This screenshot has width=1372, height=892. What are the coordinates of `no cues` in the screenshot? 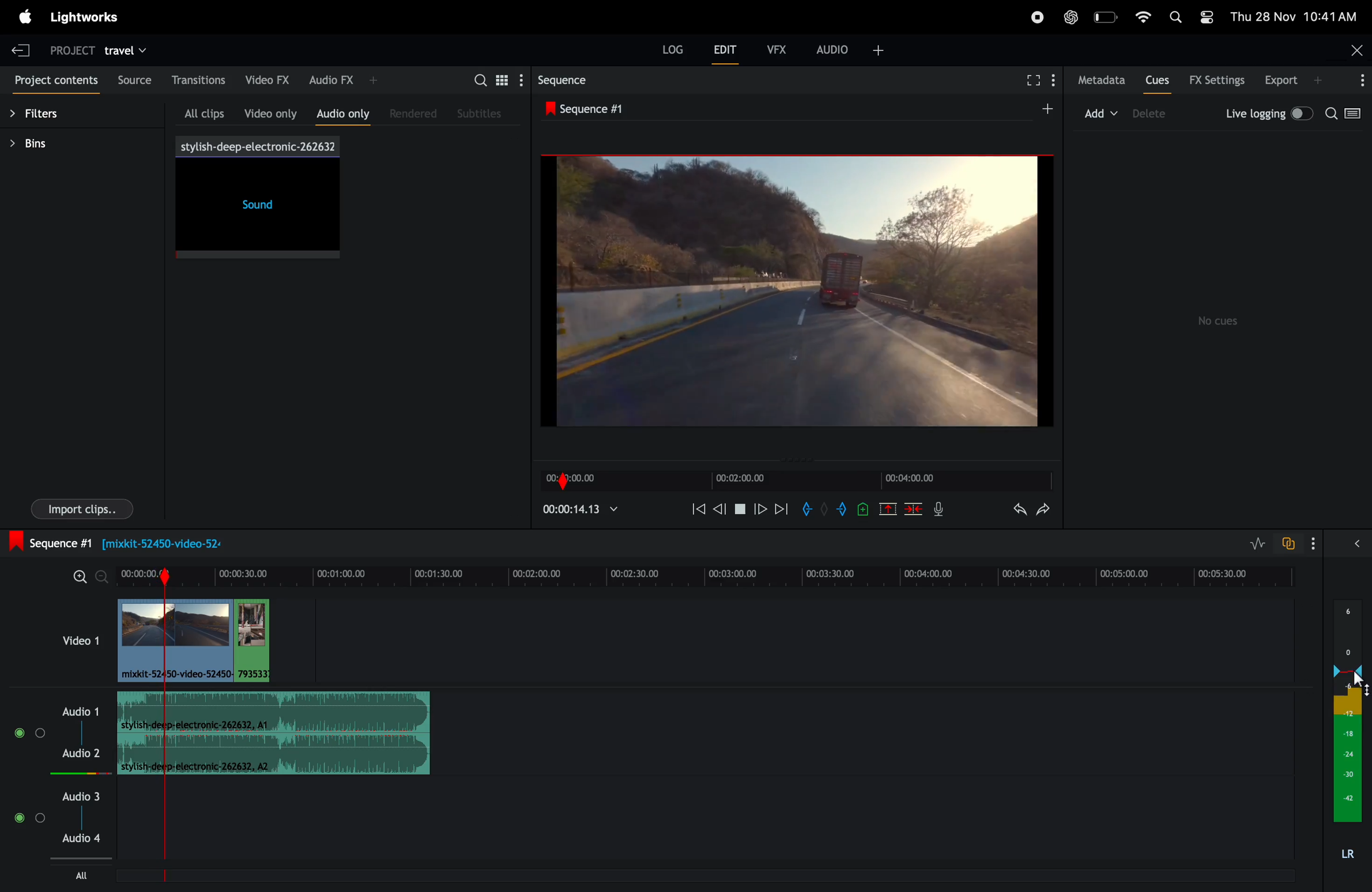 It's located at (1220, 320).